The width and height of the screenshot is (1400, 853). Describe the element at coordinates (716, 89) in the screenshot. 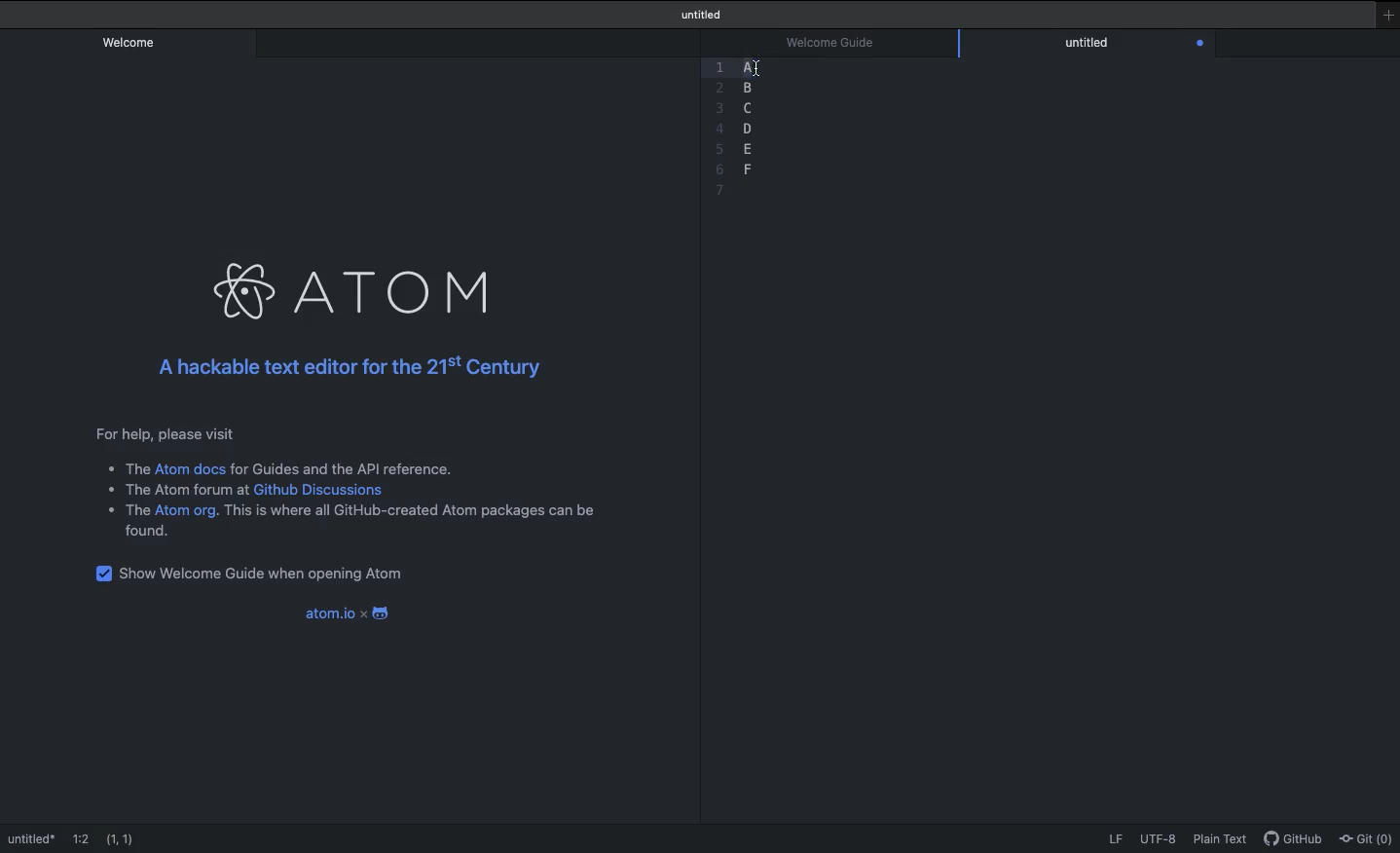

I see `` at that location.